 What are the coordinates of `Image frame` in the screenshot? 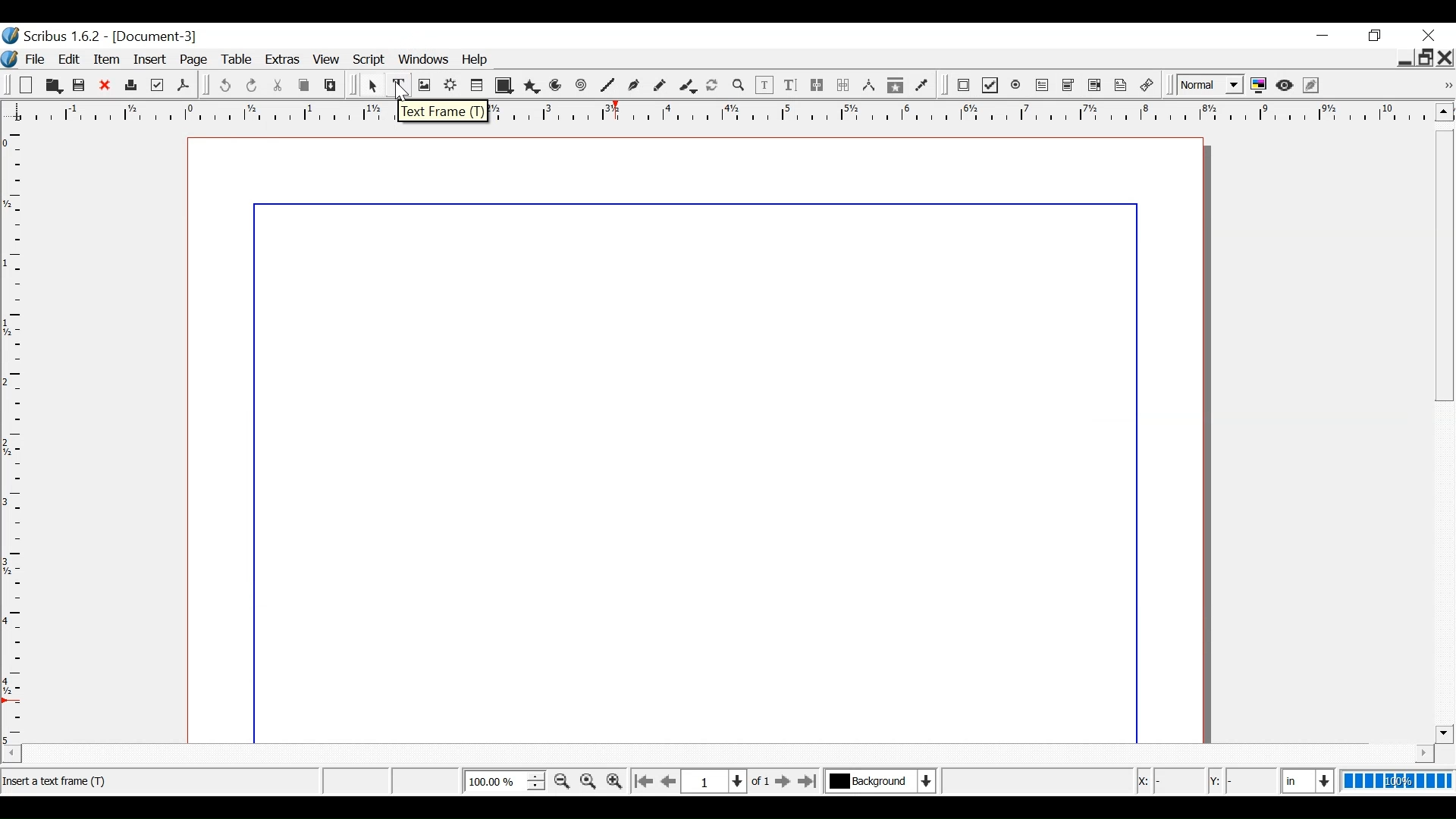 It's located at (425, 86).